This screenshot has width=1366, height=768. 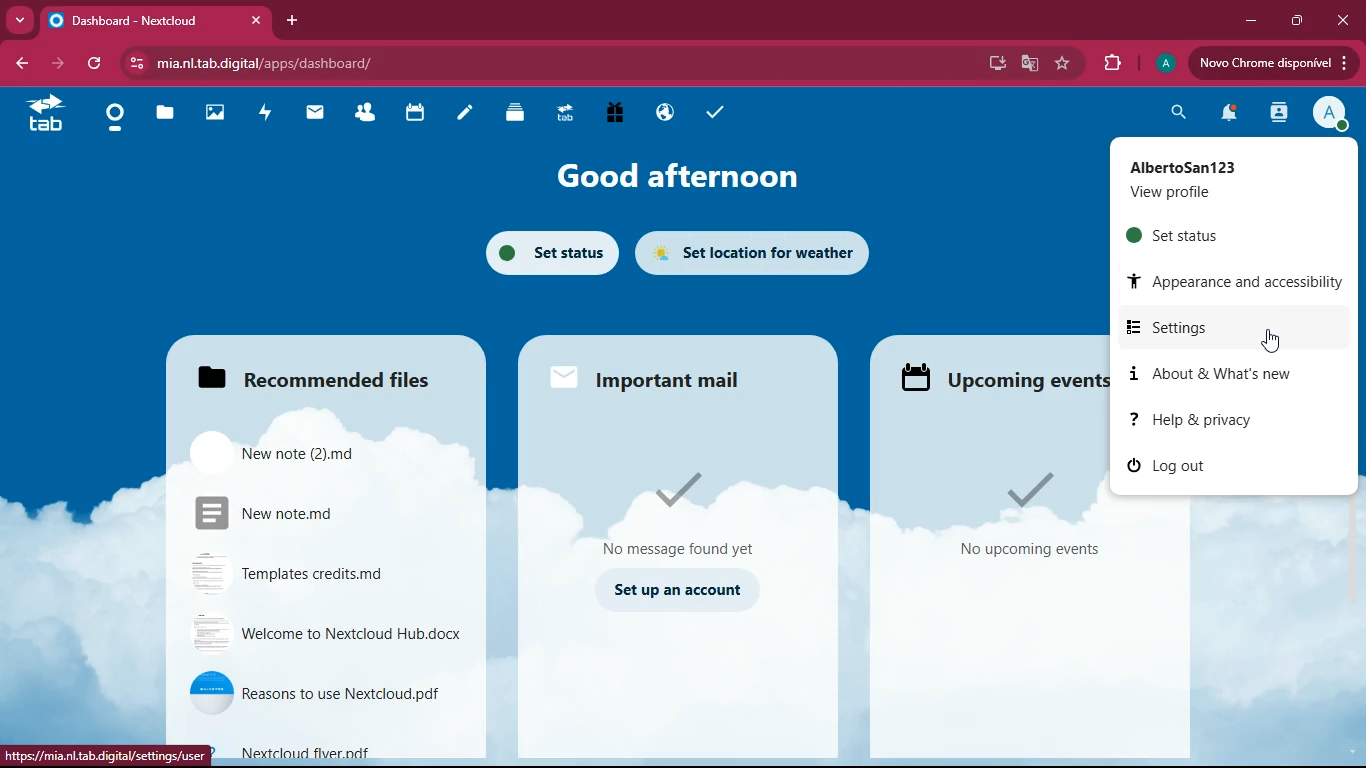 I want to click on profile, so click(x=1327, y=112).